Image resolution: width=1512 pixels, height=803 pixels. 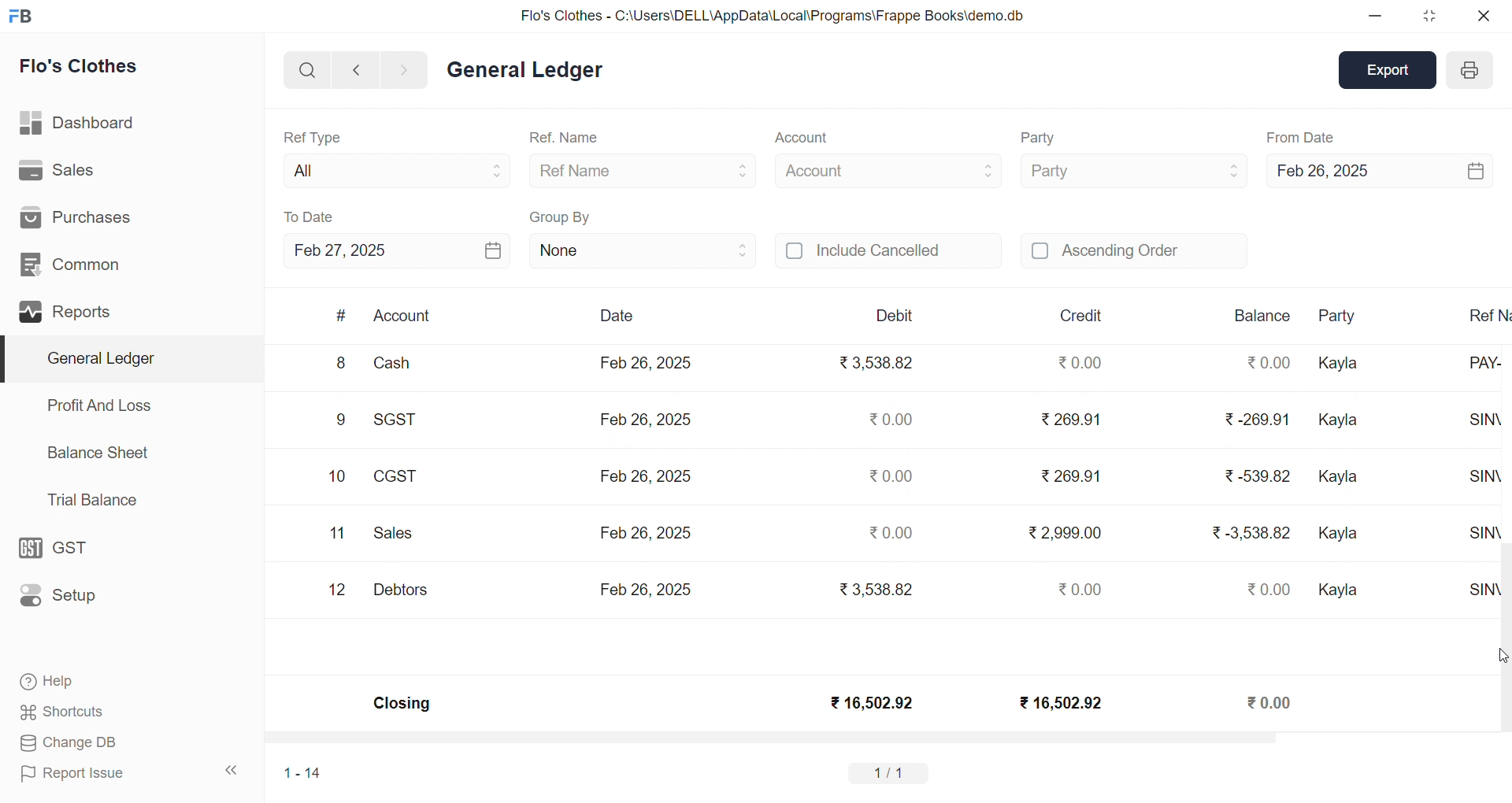 What do you see at coordinates (888, 168) in the screenshot?
I see `Account` at bounding box center [888, 168].